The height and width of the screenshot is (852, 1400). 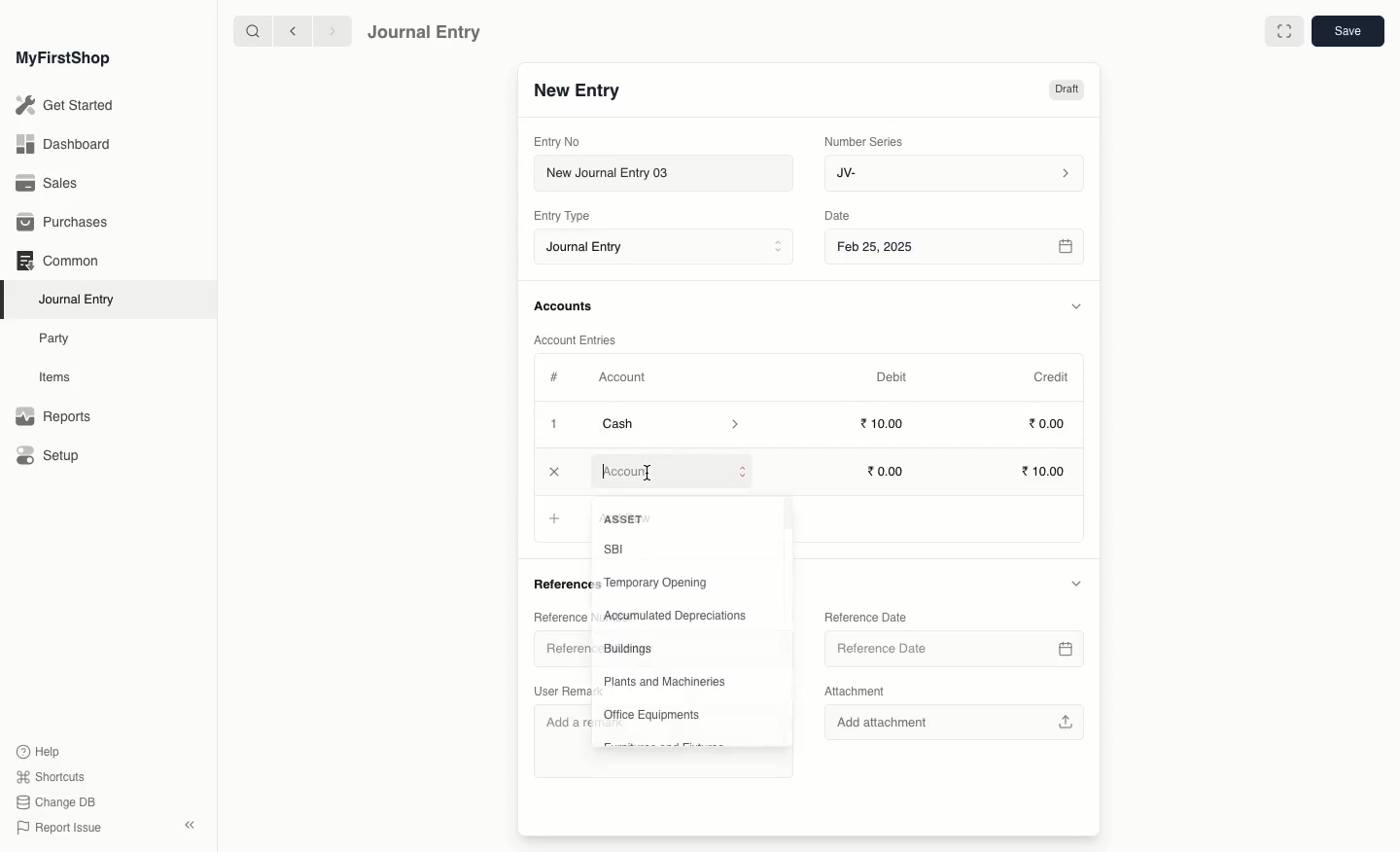 I want to click on 1, so click(x=556, y=426).